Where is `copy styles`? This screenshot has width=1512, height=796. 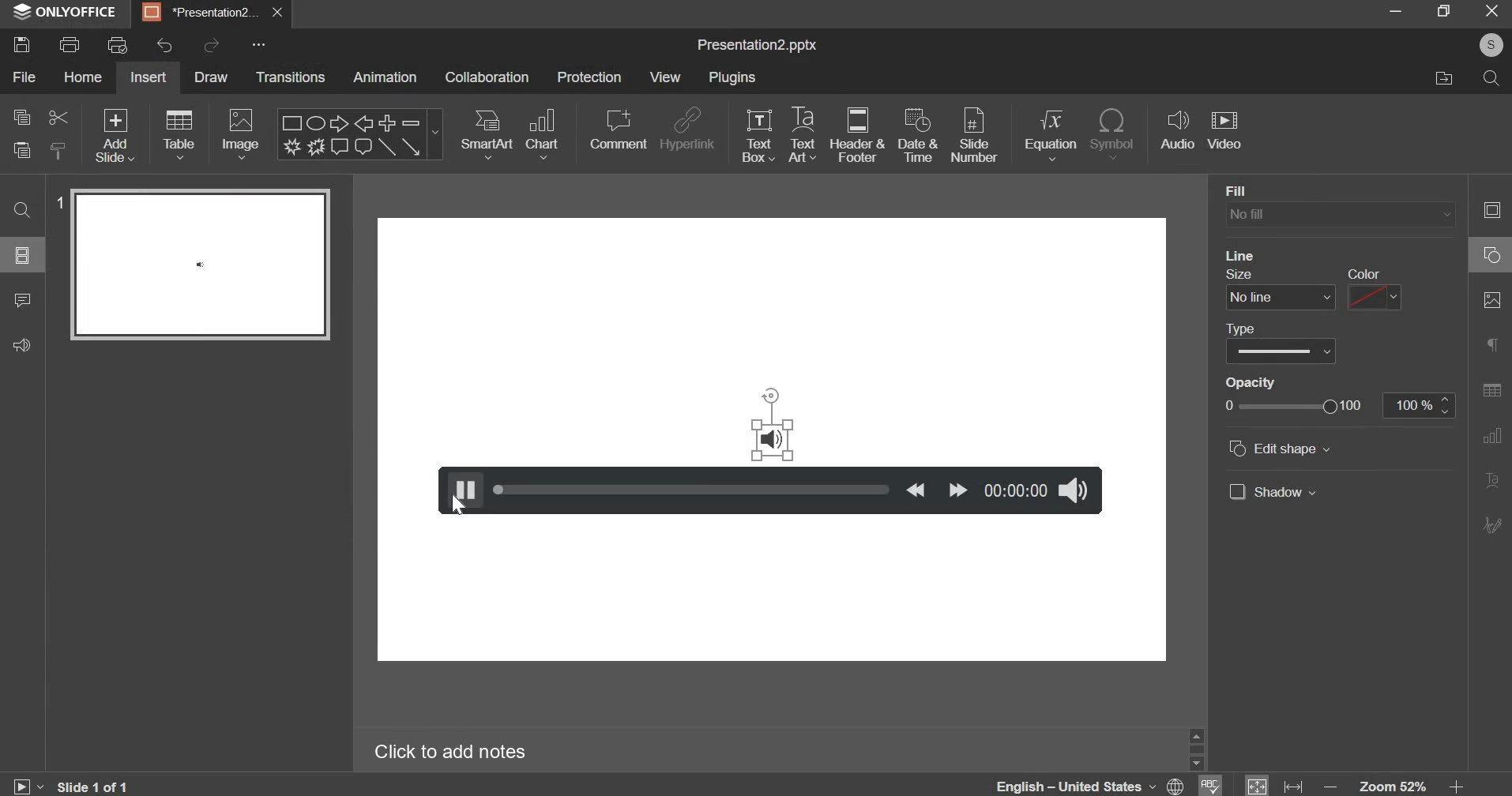
copy styles is located at coordinates (60, 151).